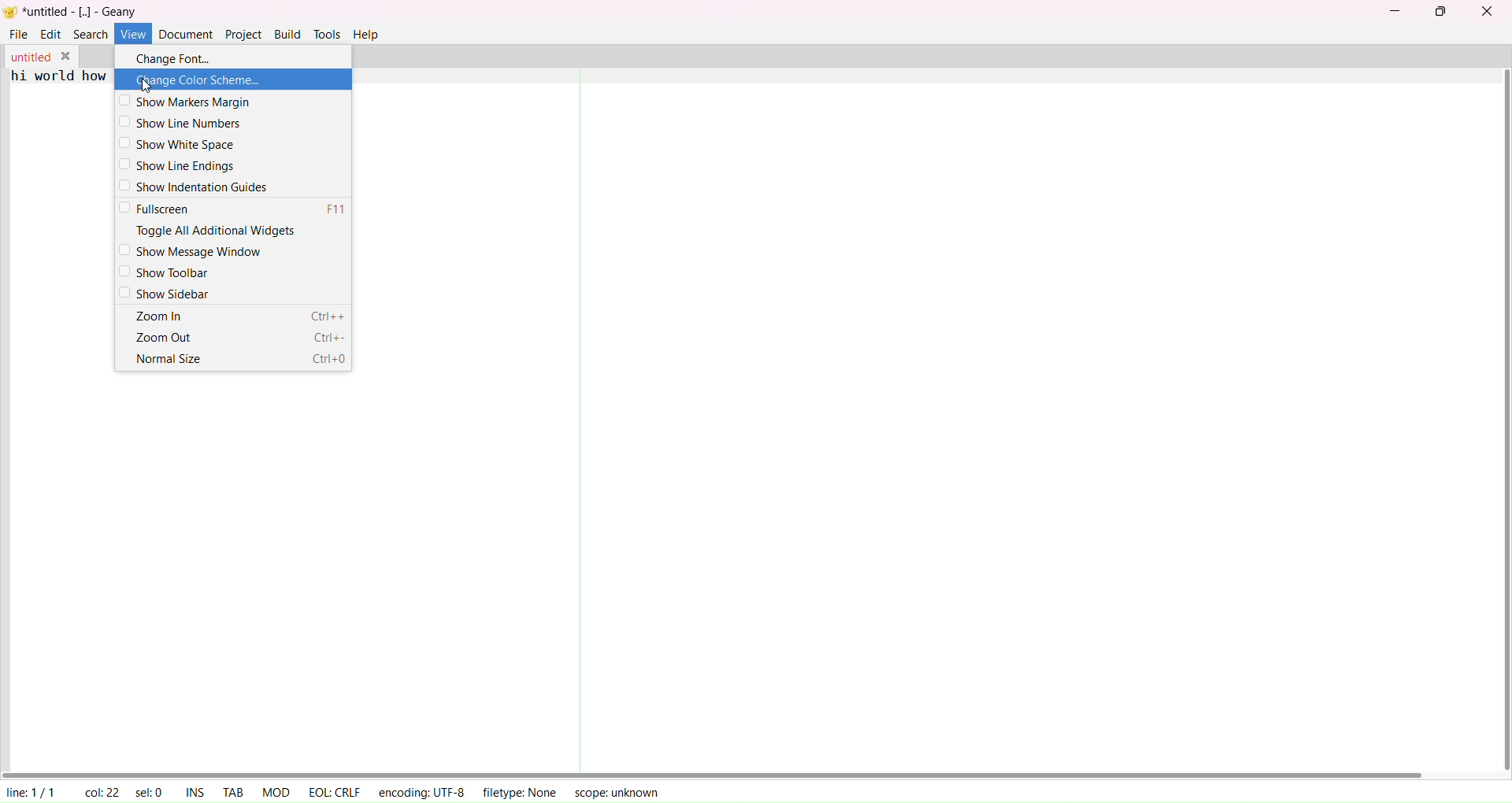 This screenshot has height=803, width=1512. Describe the element at coordinates (172, 57) in the screenshot. I see `change font` at that location.